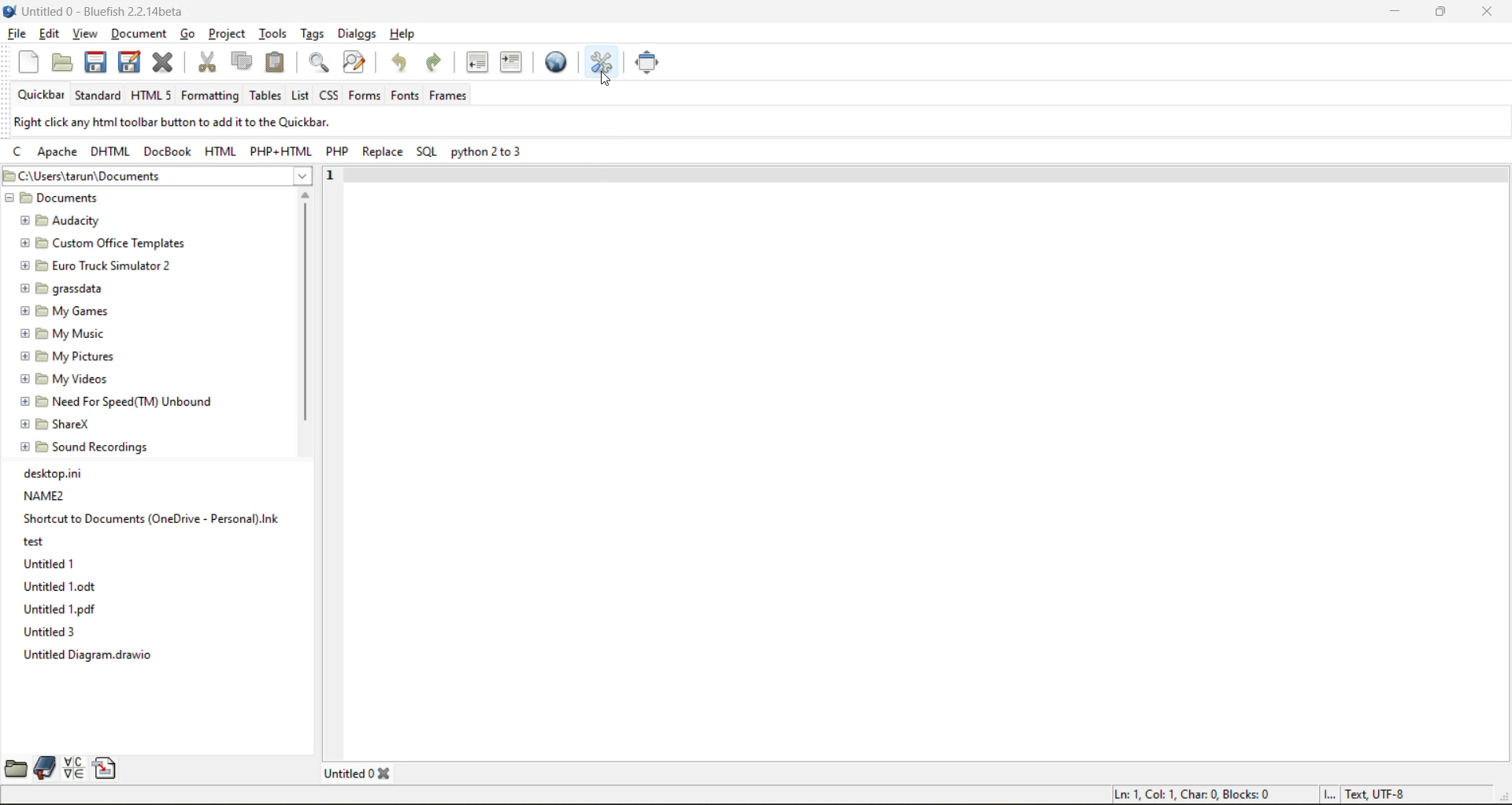  Describe the element at coordinates (265, 97) in the screenshot. I see `tables` at that location.